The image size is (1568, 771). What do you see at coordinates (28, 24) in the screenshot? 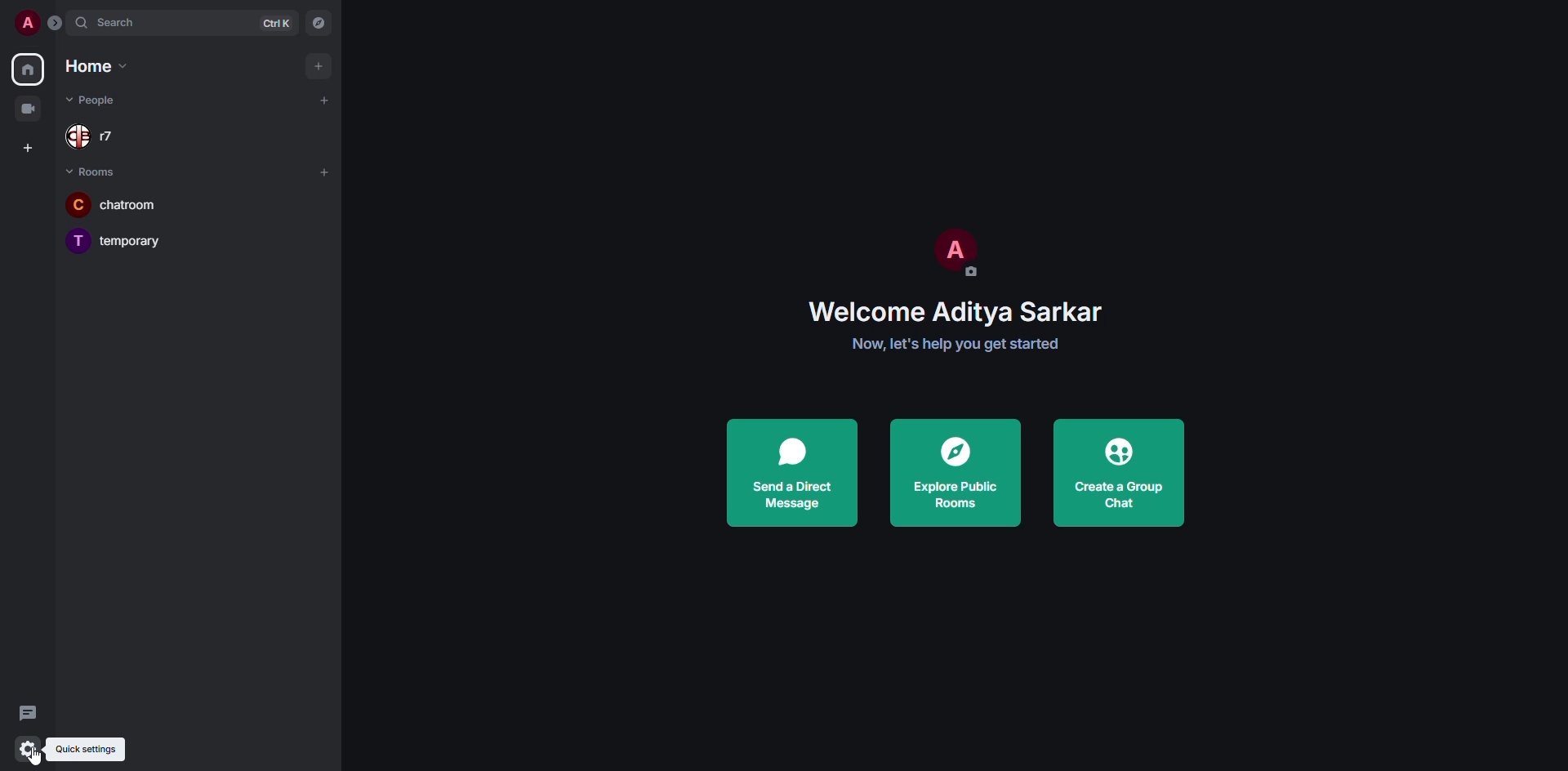
I see `profile` at bounding box center [28, 24].